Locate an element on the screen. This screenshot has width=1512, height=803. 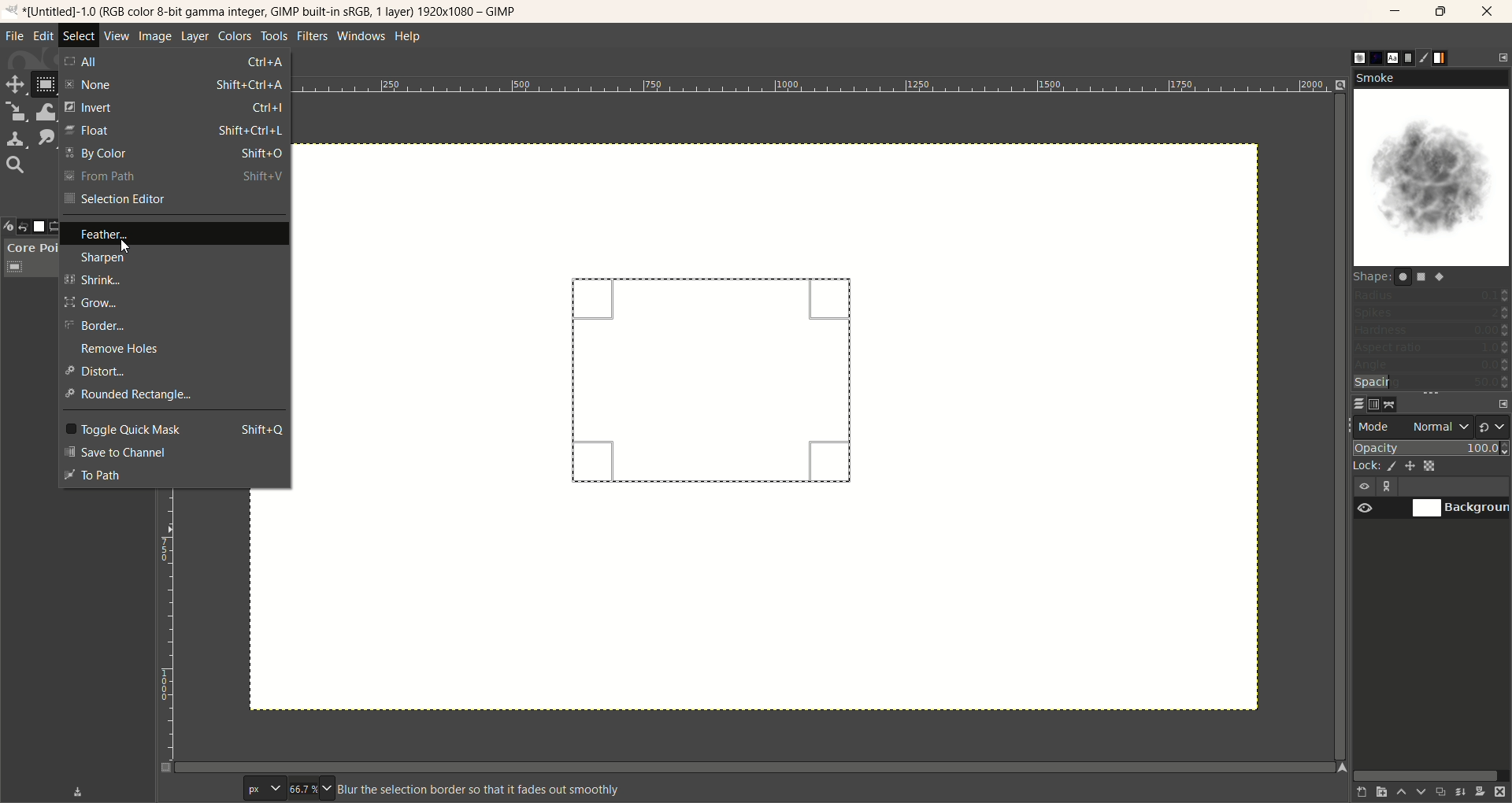
lock pixels is located at coordinates (1392, 467).